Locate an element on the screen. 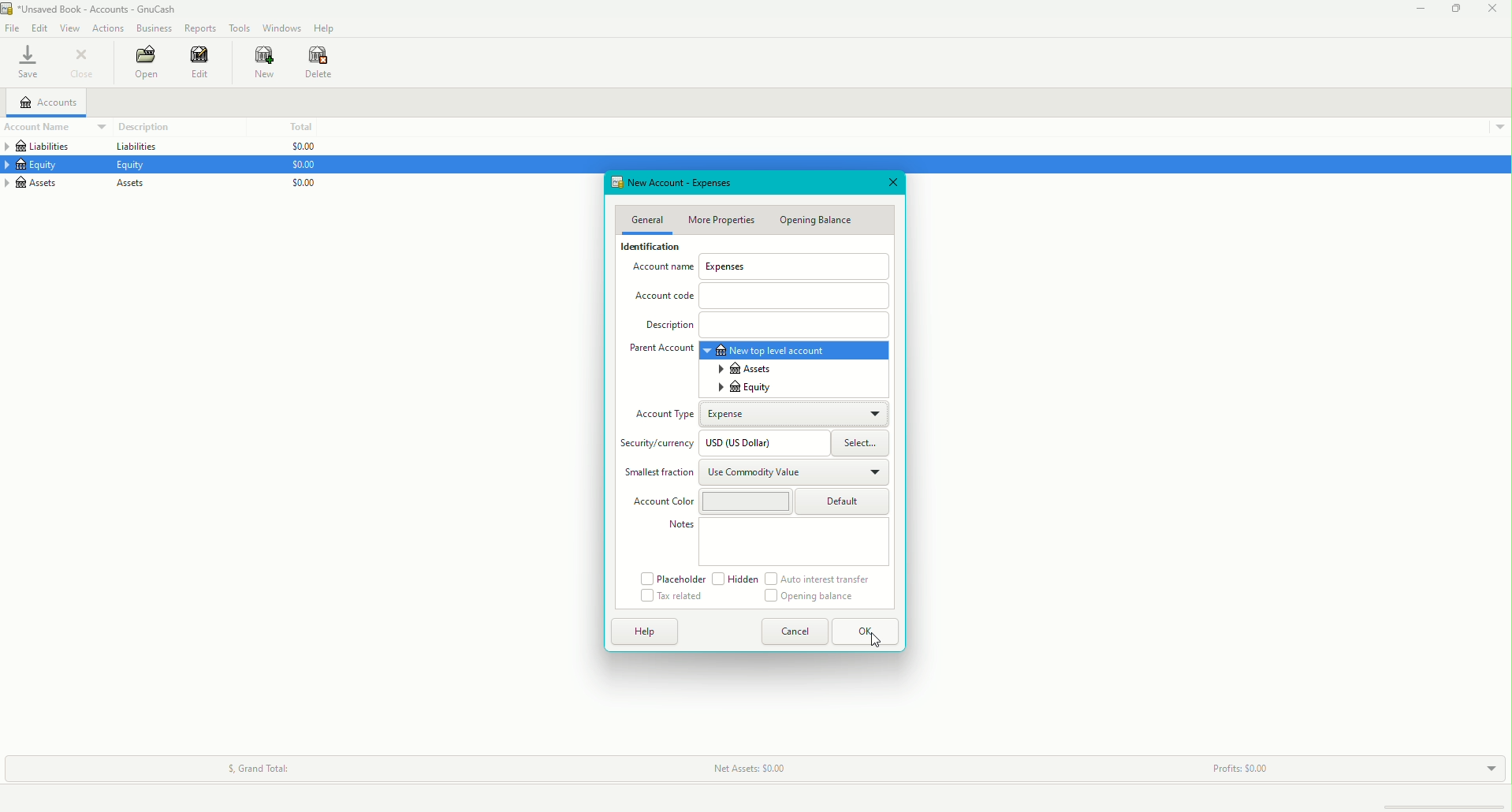  Opening Balance is located at coordinates (819, 222).